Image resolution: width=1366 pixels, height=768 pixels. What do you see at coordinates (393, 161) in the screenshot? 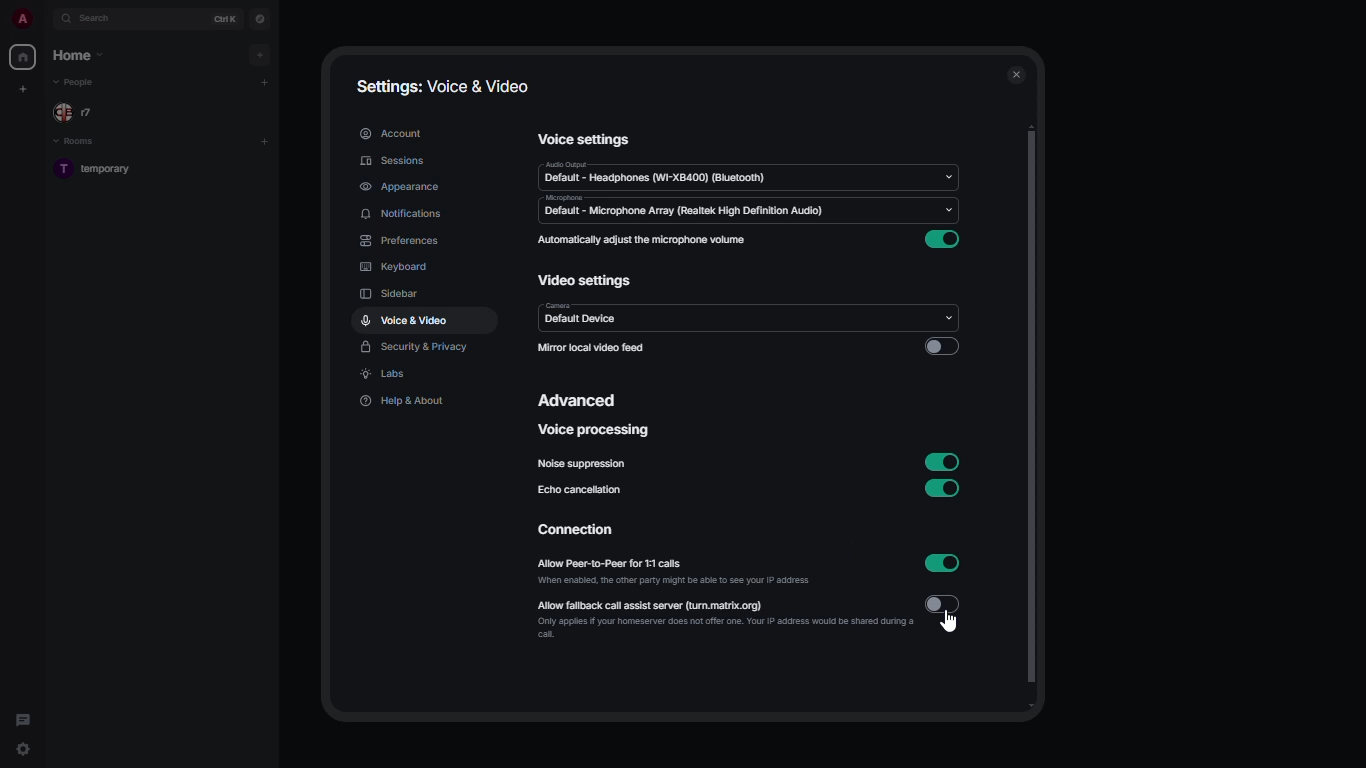
I see `sessions` at bounding box center [393, 161].